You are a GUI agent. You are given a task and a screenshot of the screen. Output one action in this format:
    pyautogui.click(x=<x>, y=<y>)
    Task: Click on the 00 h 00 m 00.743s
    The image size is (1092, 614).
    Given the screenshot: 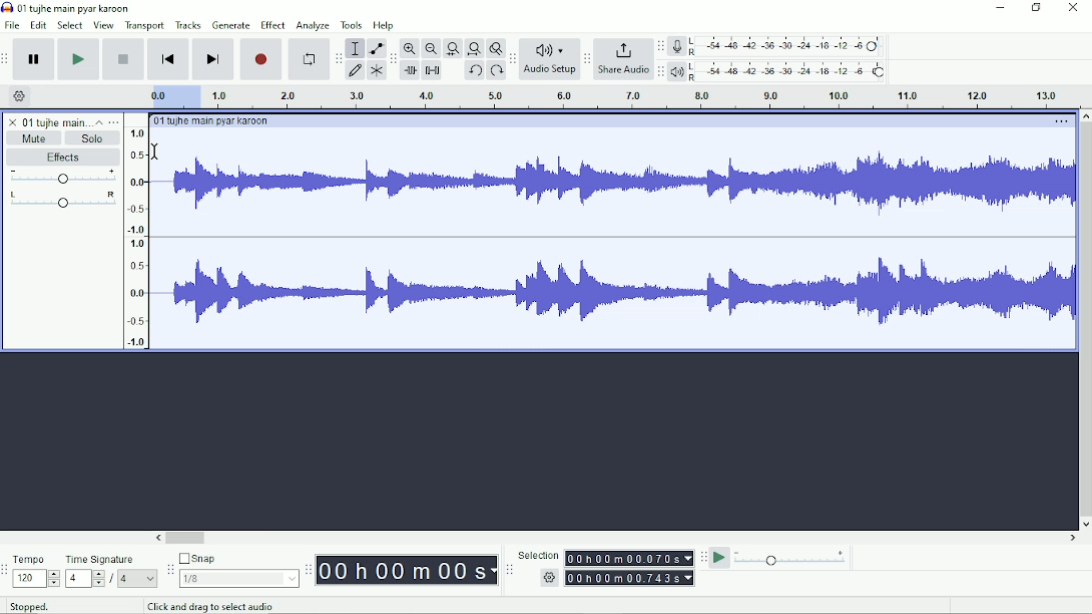 What is the action you would take?
    pyautogui.click(x=632, y=577)
    